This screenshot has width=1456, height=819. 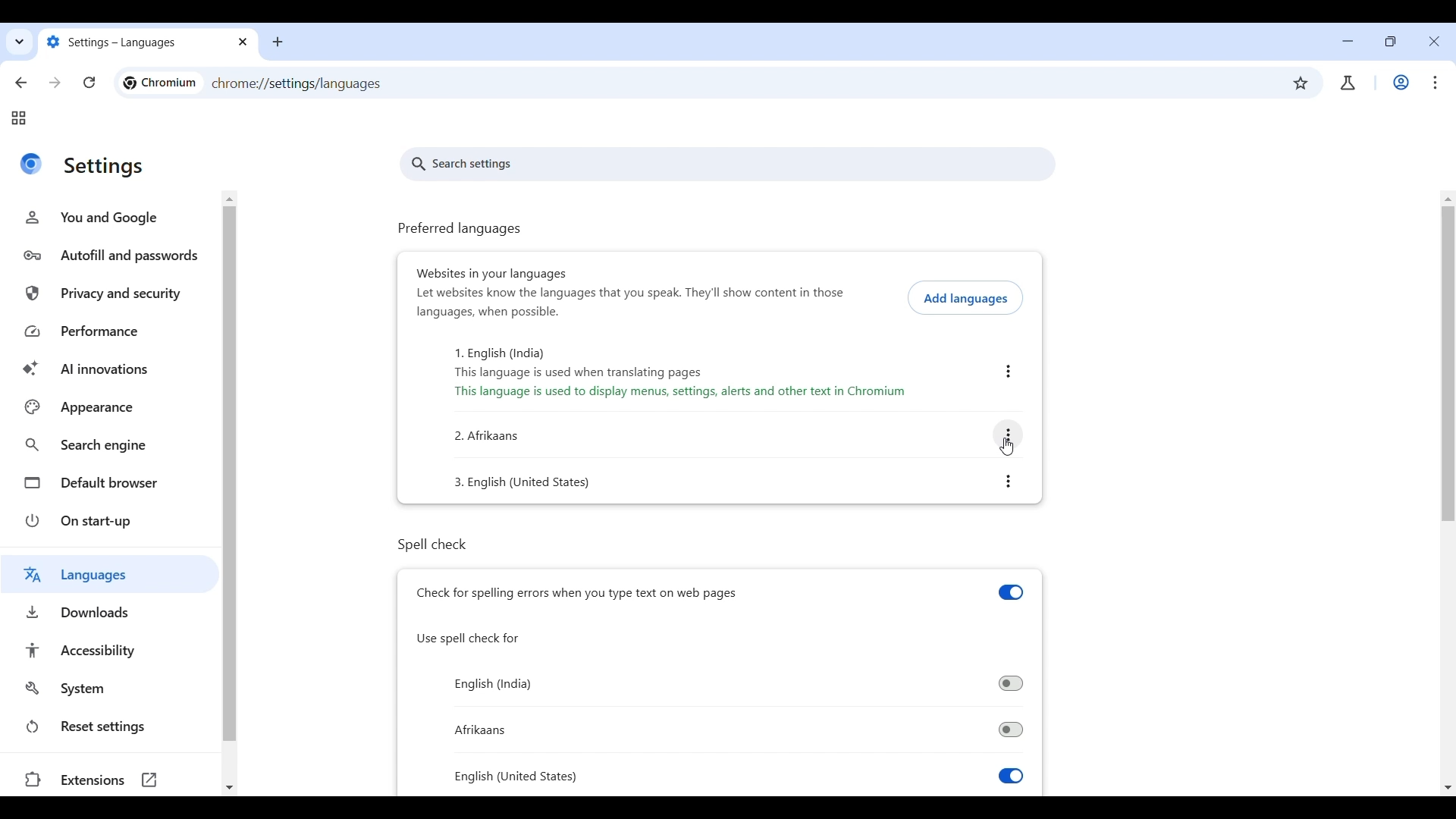 I want to click on Afrikaans setting, so click(x=1008, y=435).